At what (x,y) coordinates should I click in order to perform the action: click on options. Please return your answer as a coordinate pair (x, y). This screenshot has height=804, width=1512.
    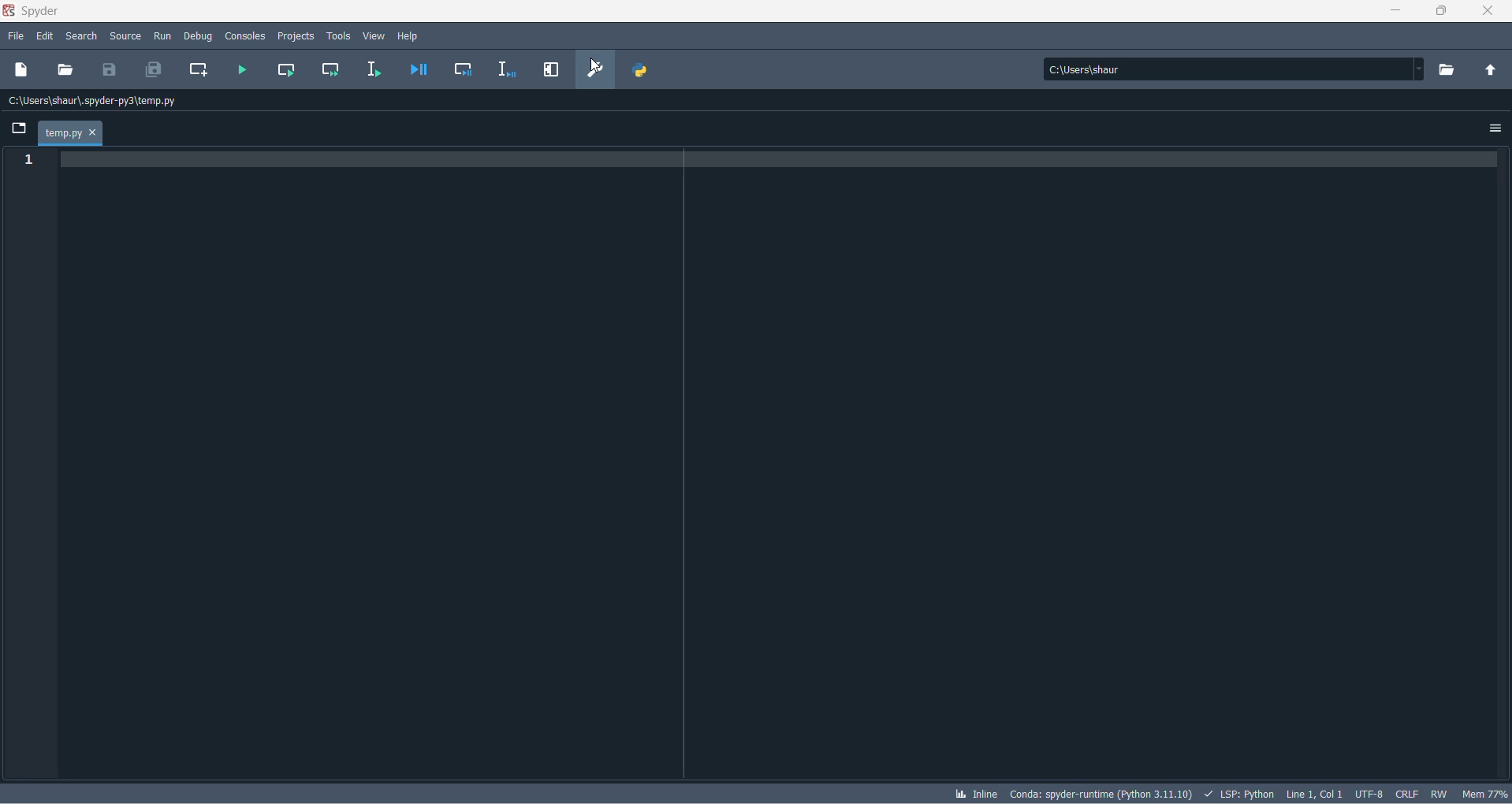
    Looking at the image, I should click on (1496, 125).